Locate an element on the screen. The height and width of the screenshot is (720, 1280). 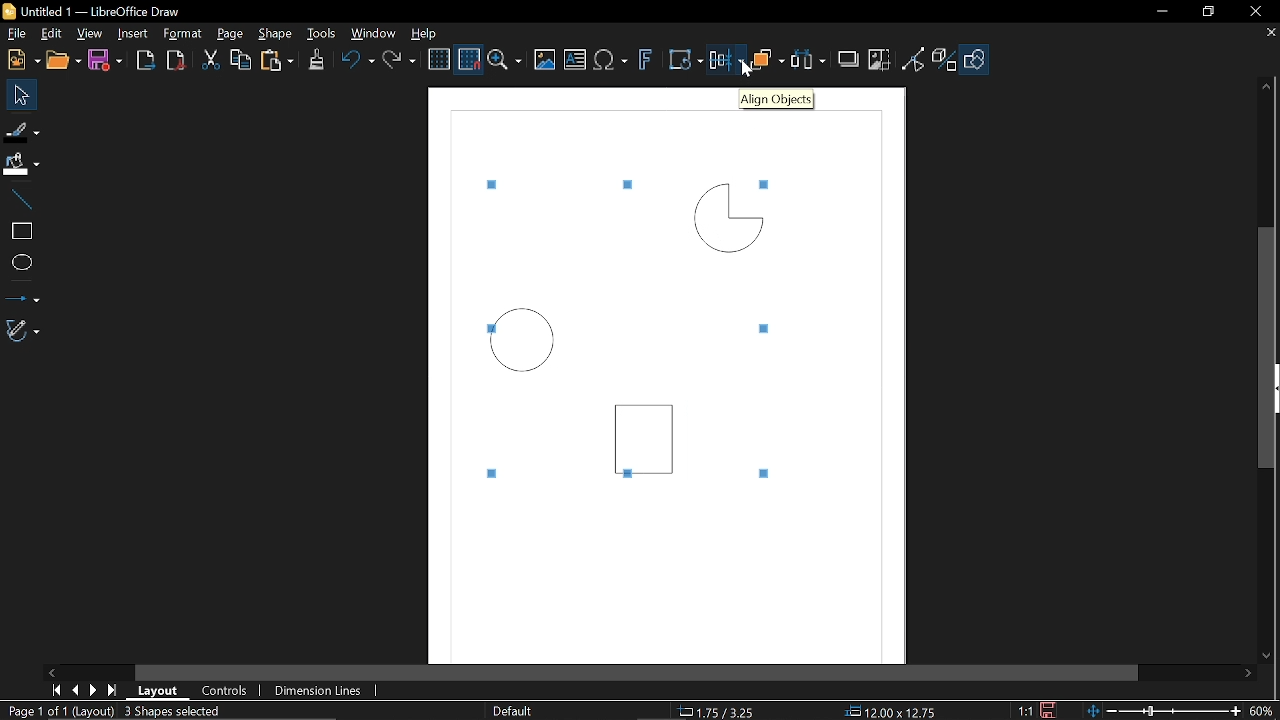
File is located at coordinates (17, 32).